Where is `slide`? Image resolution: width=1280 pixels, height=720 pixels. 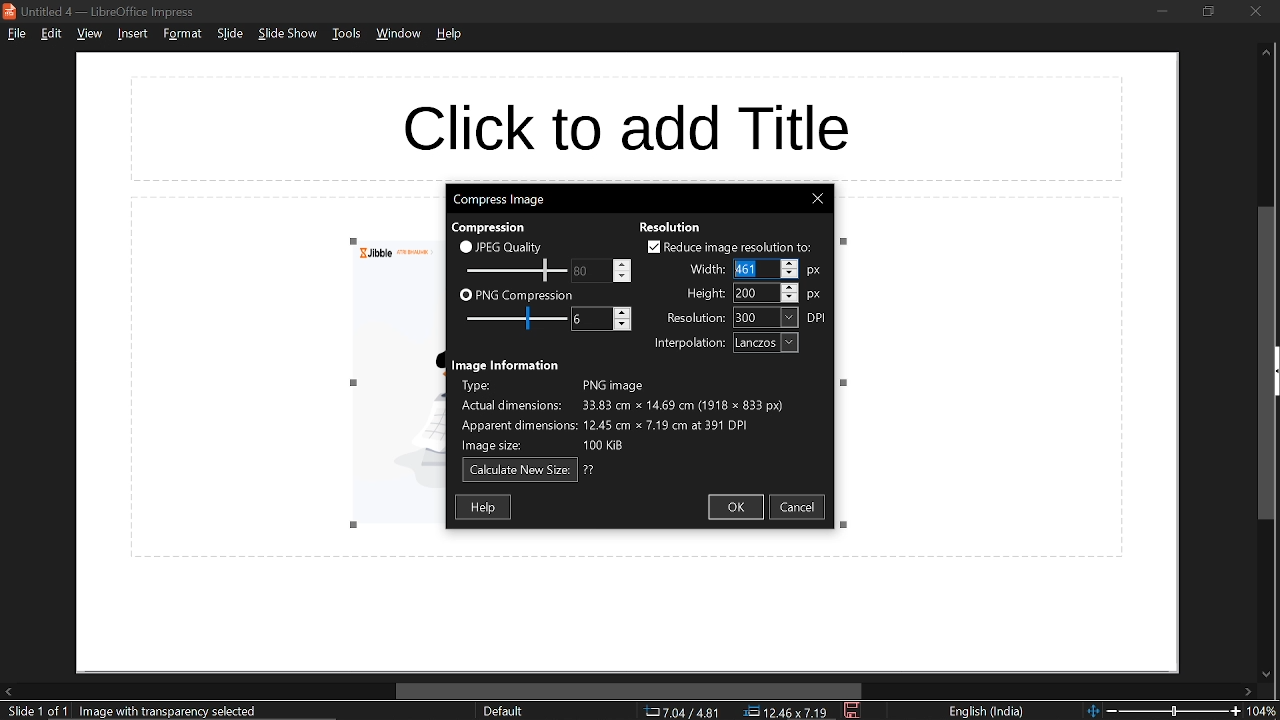 slide is located at coordinates (229, 35).